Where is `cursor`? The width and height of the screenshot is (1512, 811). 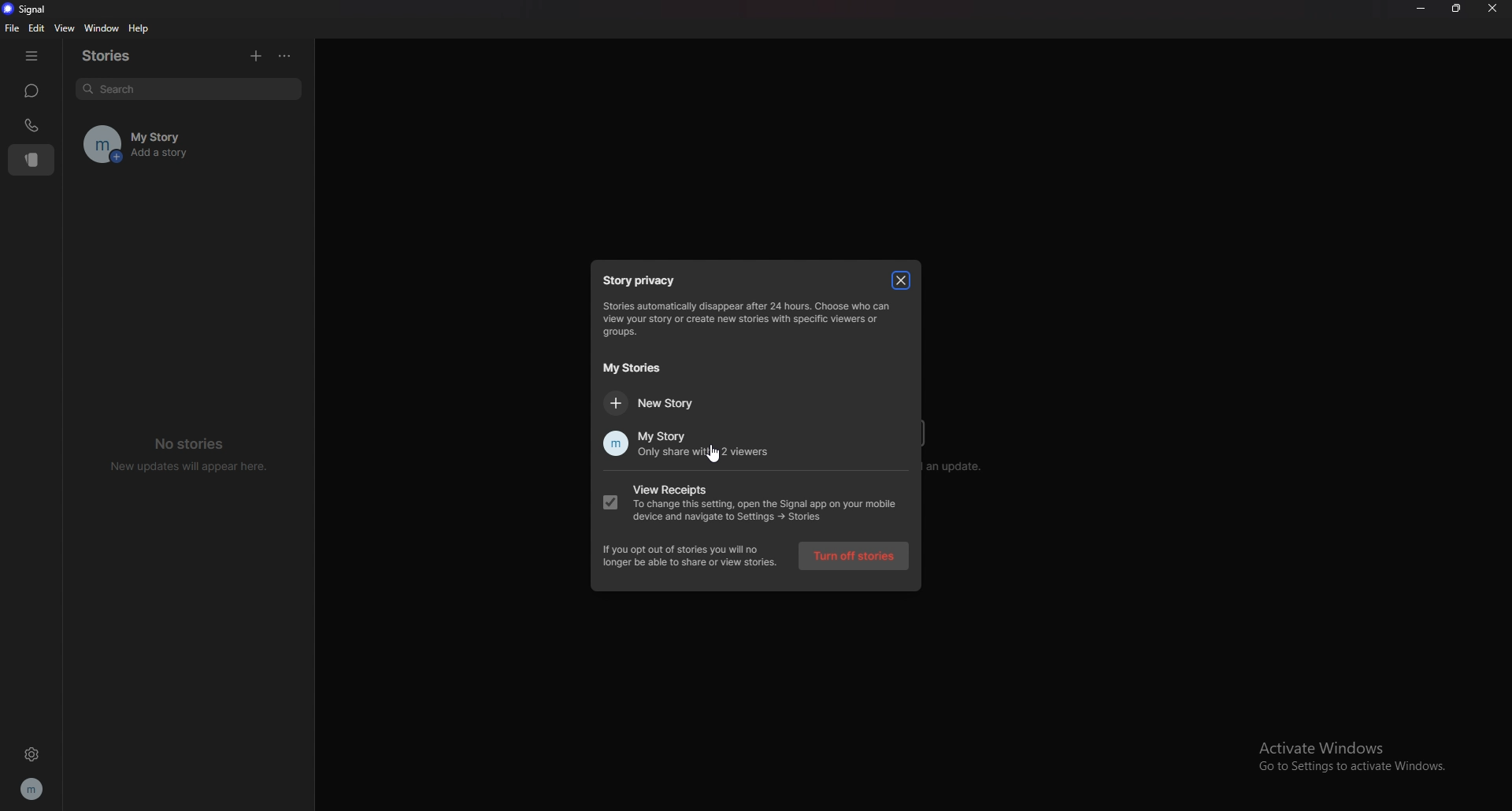 cursor is located at coordinates (718, 454).